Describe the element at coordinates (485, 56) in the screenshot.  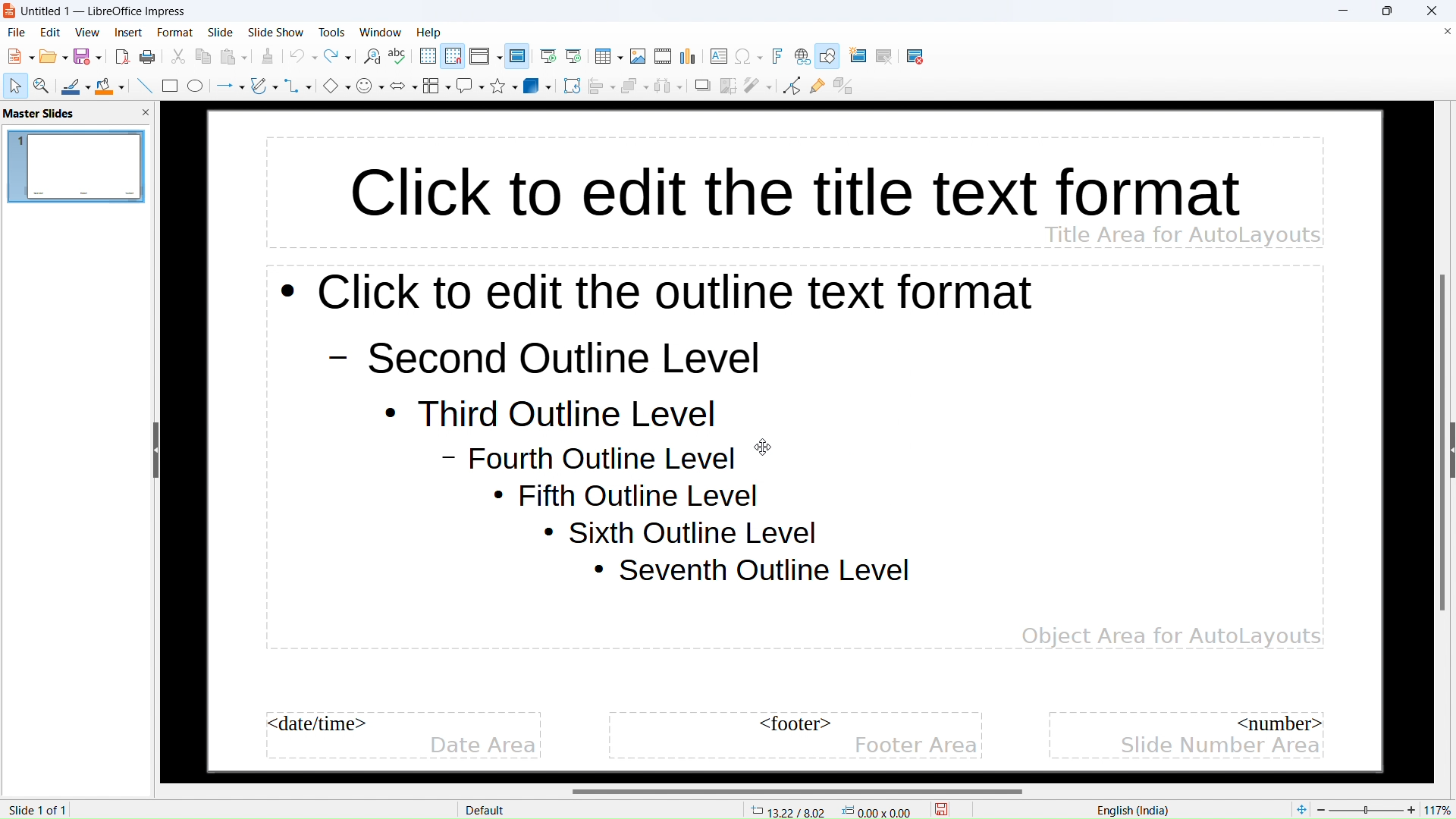
I see `display views` at that location.